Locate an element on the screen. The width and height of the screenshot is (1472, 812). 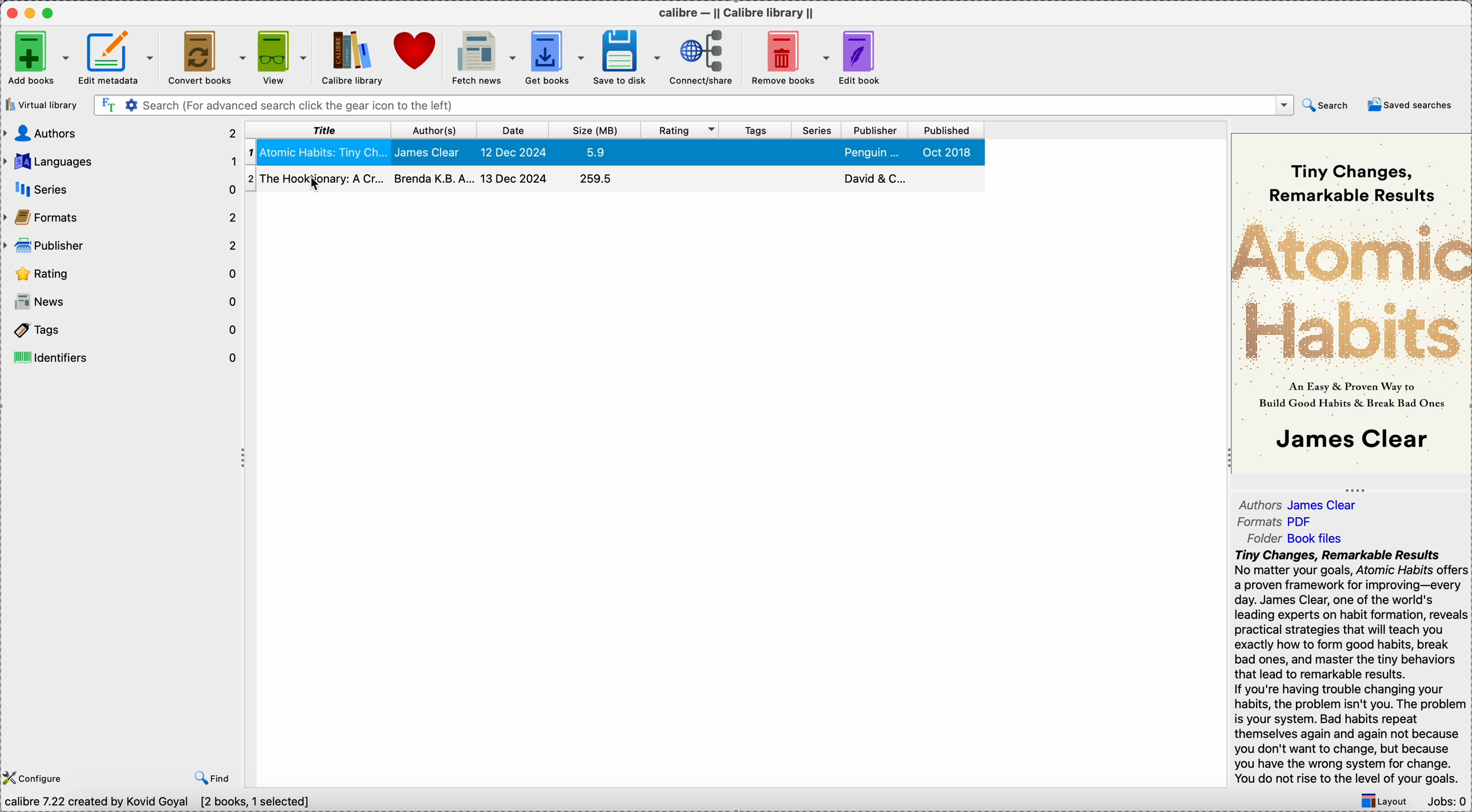
authors James Clear is located at coordinates (1298, 504).